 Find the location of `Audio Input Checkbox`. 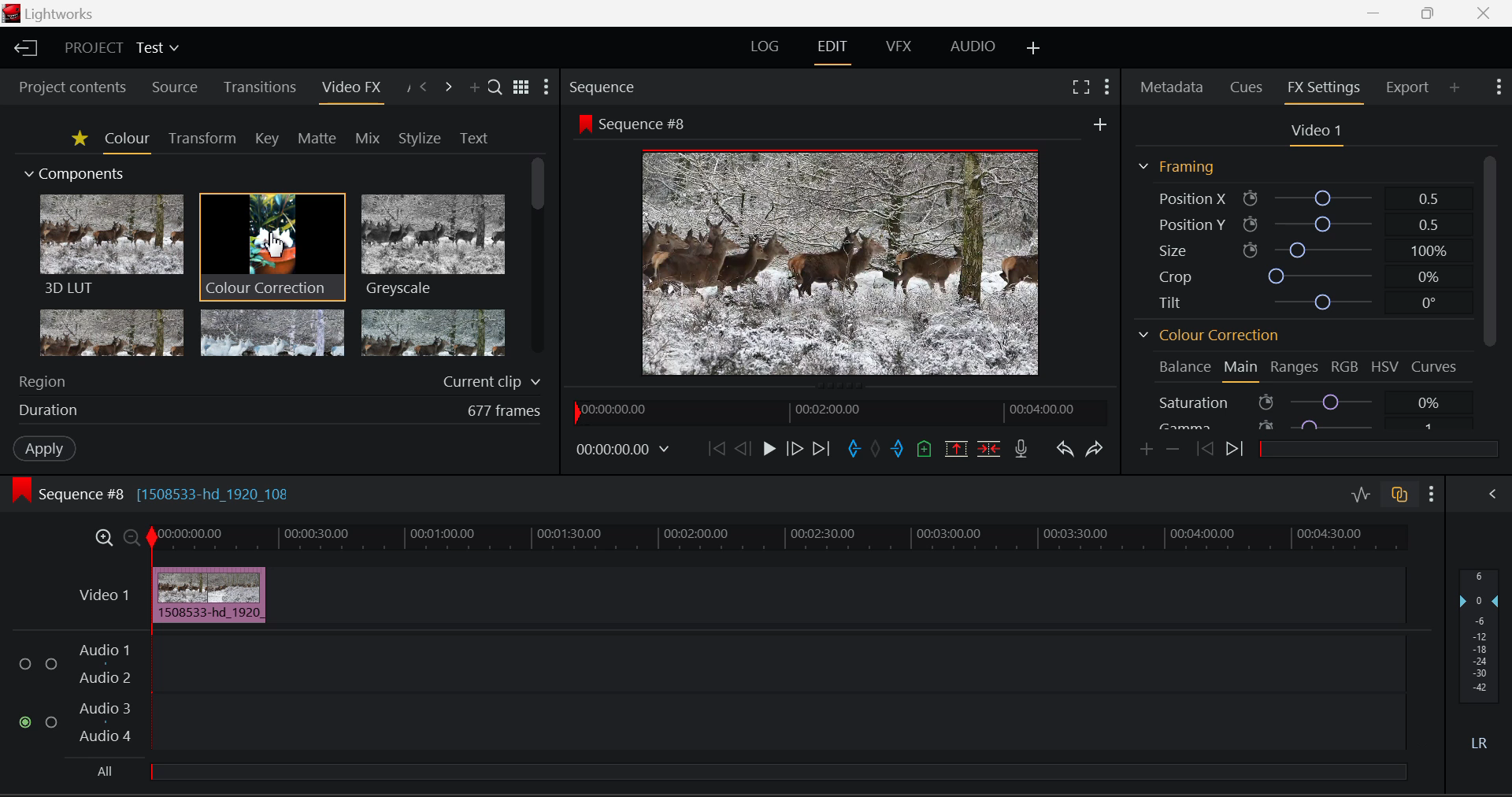

Audio Input Checkbox is located at coordinates (51, 721).